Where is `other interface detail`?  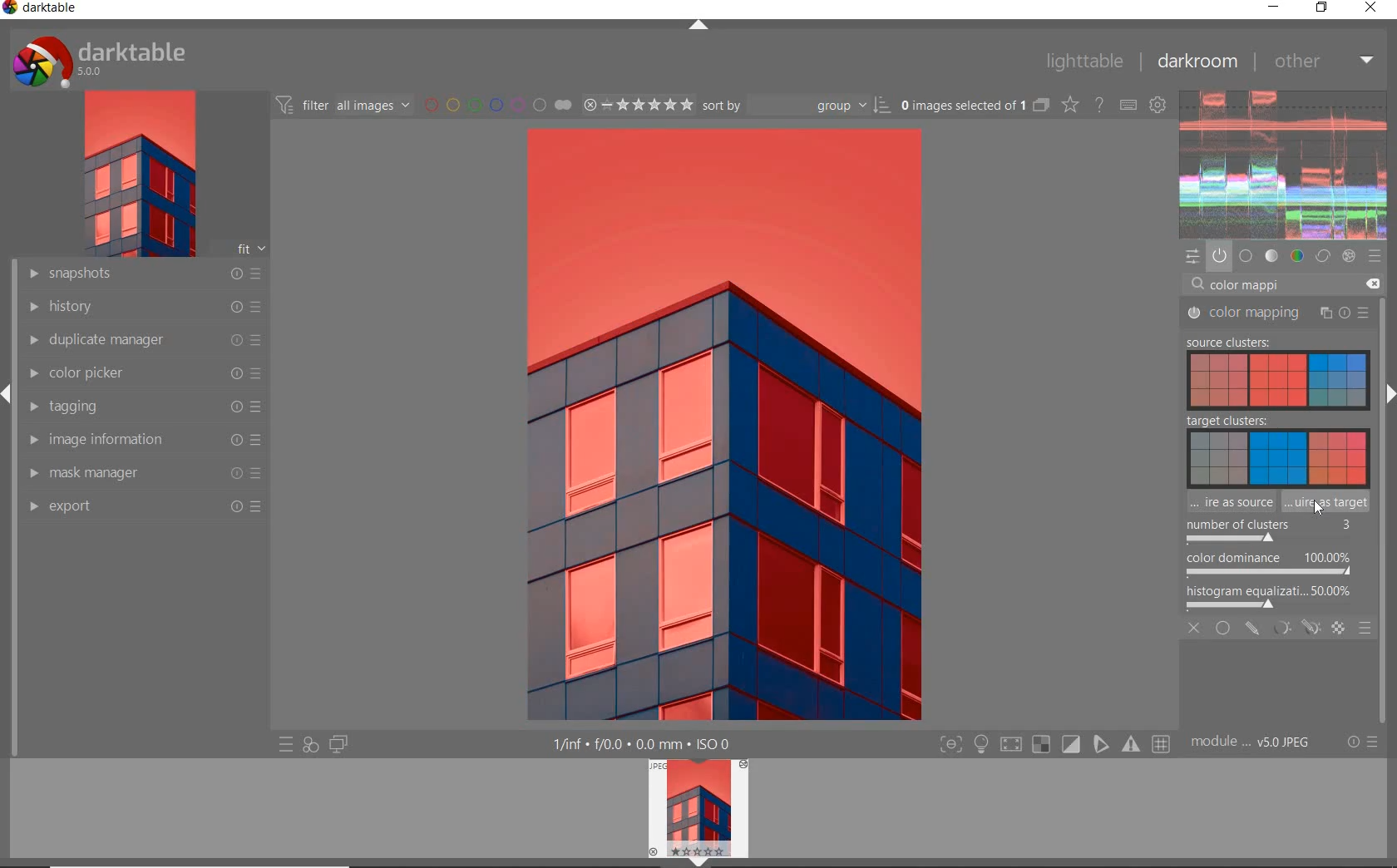
other interface detail is located at coordinates (654, 744).